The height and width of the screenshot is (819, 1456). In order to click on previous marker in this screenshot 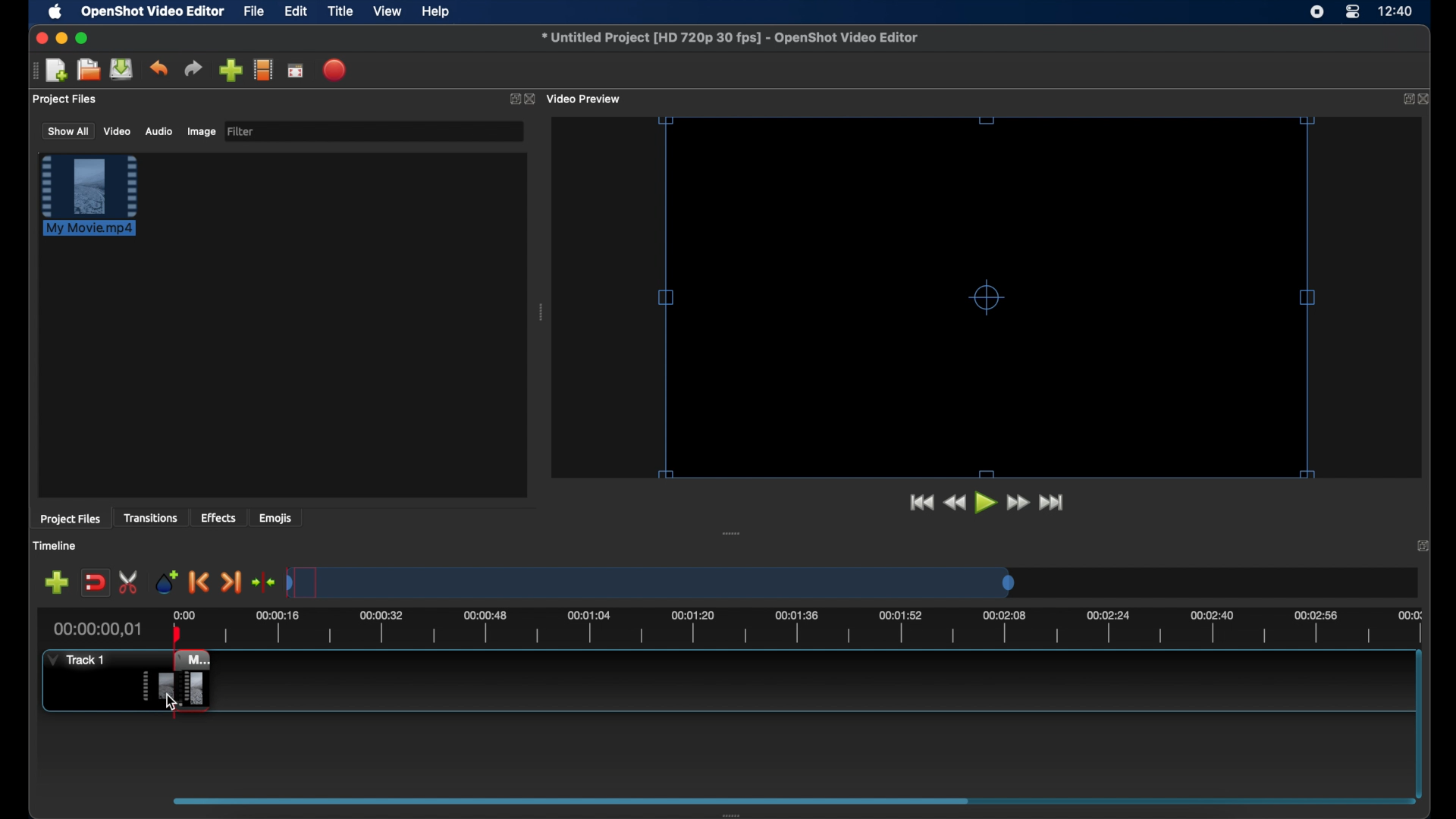, I will do `click(197, 582)`.